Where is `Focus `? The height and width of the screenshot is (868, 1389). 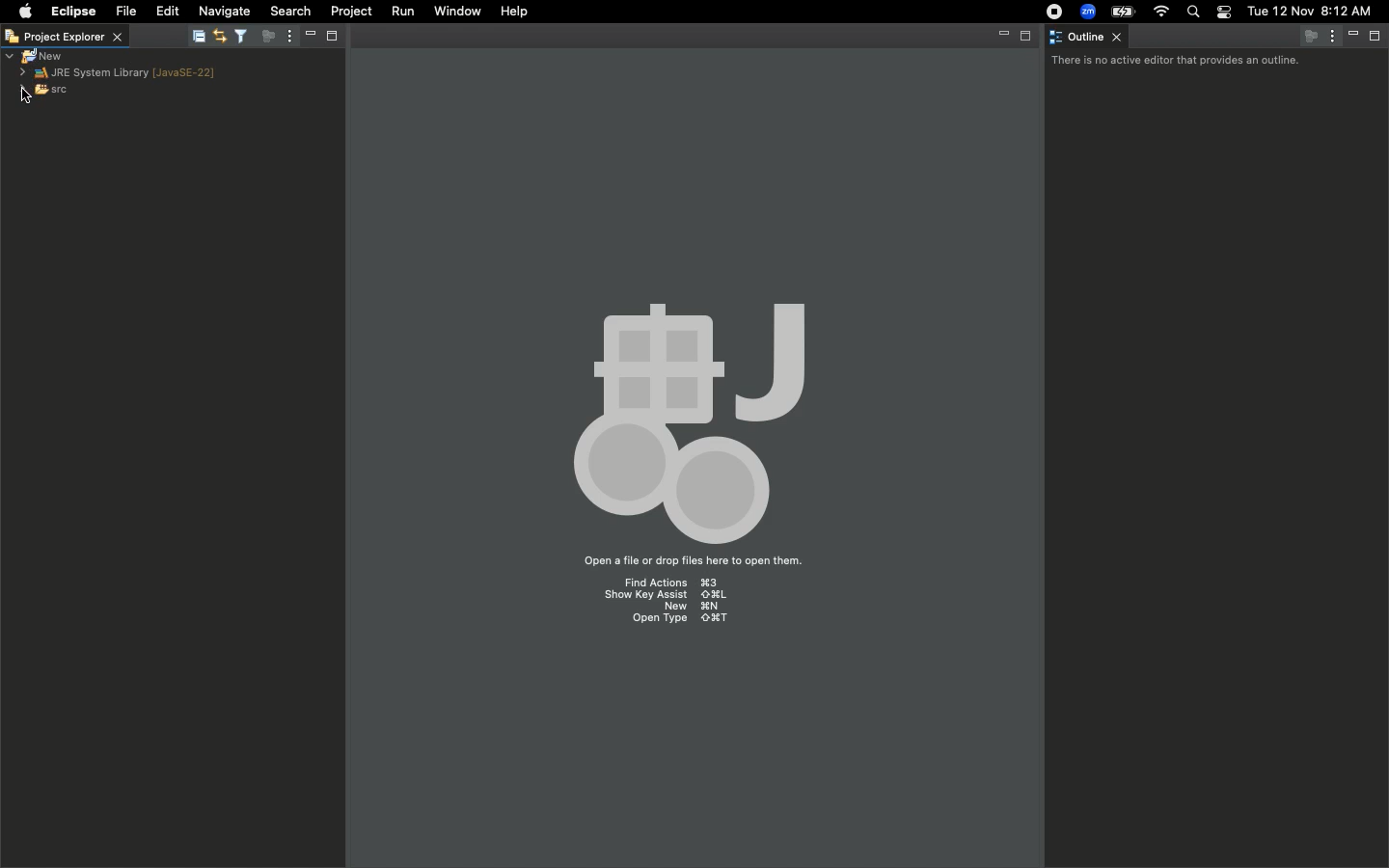
Focus  is located at coordinates (263, 37).